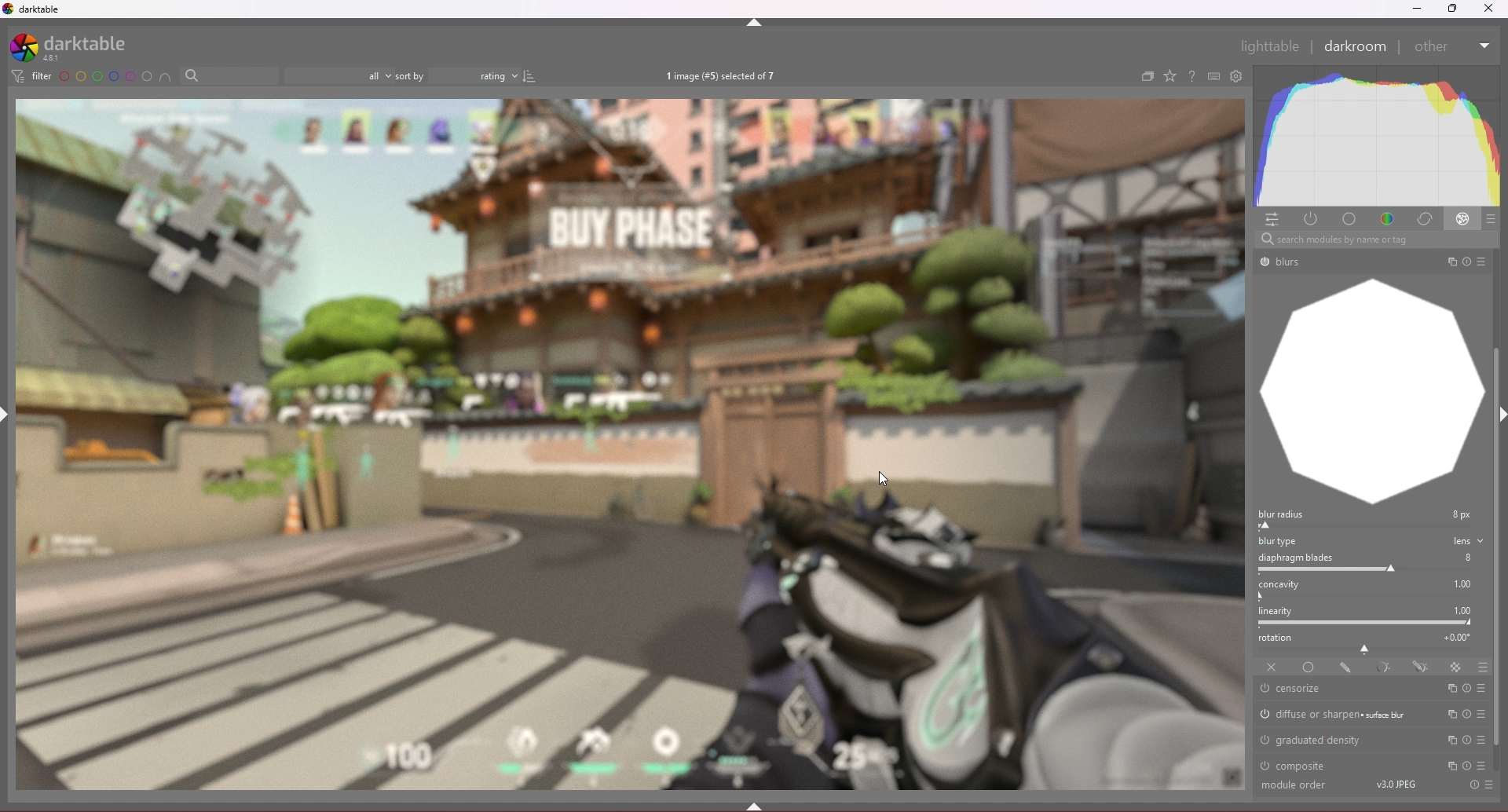  I want to click on rating, so click(474, 75).